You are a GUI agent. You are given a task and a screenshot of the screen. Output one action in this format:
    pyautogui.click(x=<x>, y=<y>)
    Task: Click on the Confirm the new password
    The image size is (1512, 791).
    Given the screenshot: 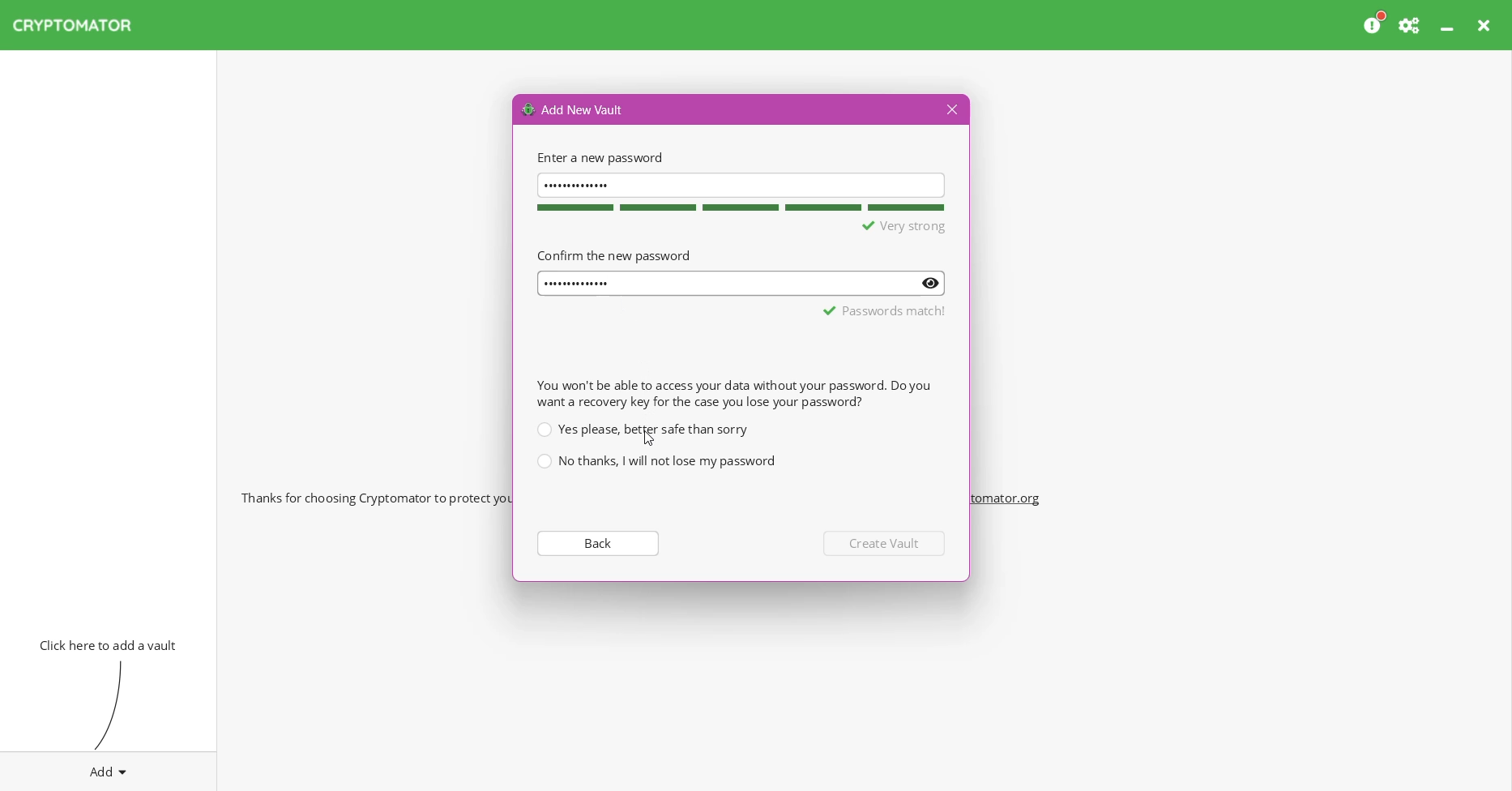 What is the action you would take?
    pyautogui.click(x=613, y=254)
    